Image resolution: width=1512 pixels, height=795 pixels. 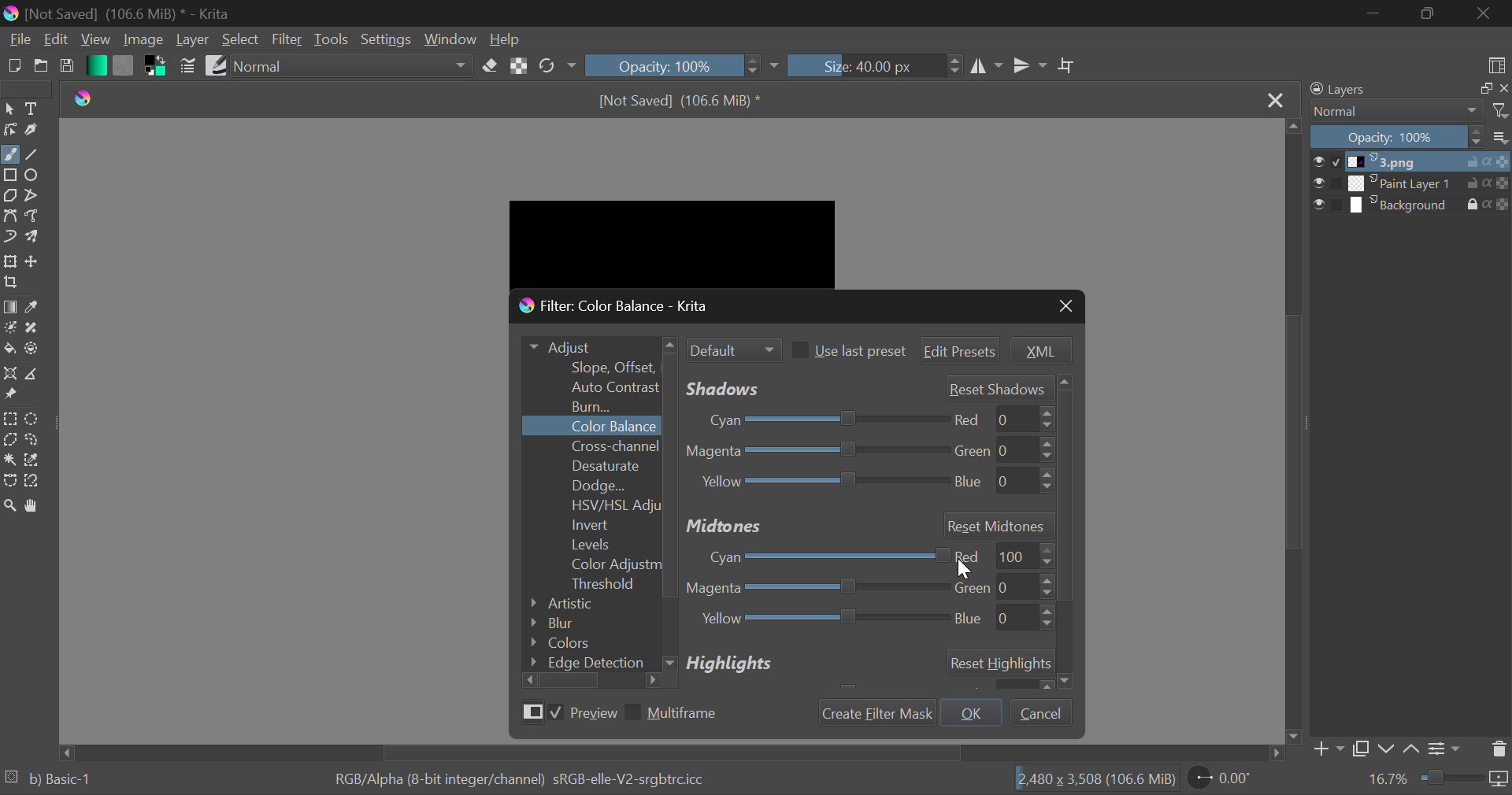 I want to click on Gradient, so click(x=95, y=66).